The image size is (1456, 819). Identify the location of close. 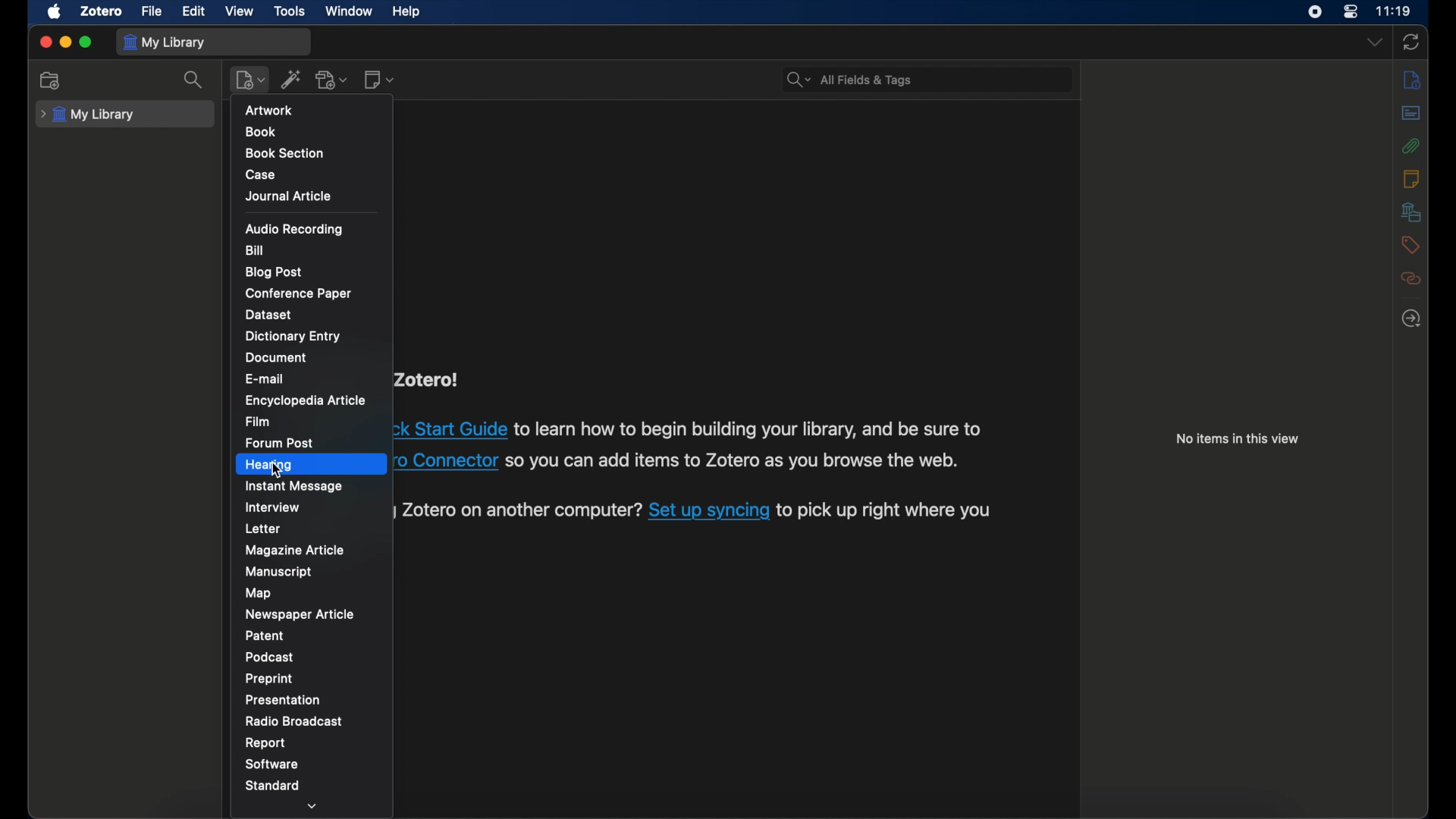
(45, 42).